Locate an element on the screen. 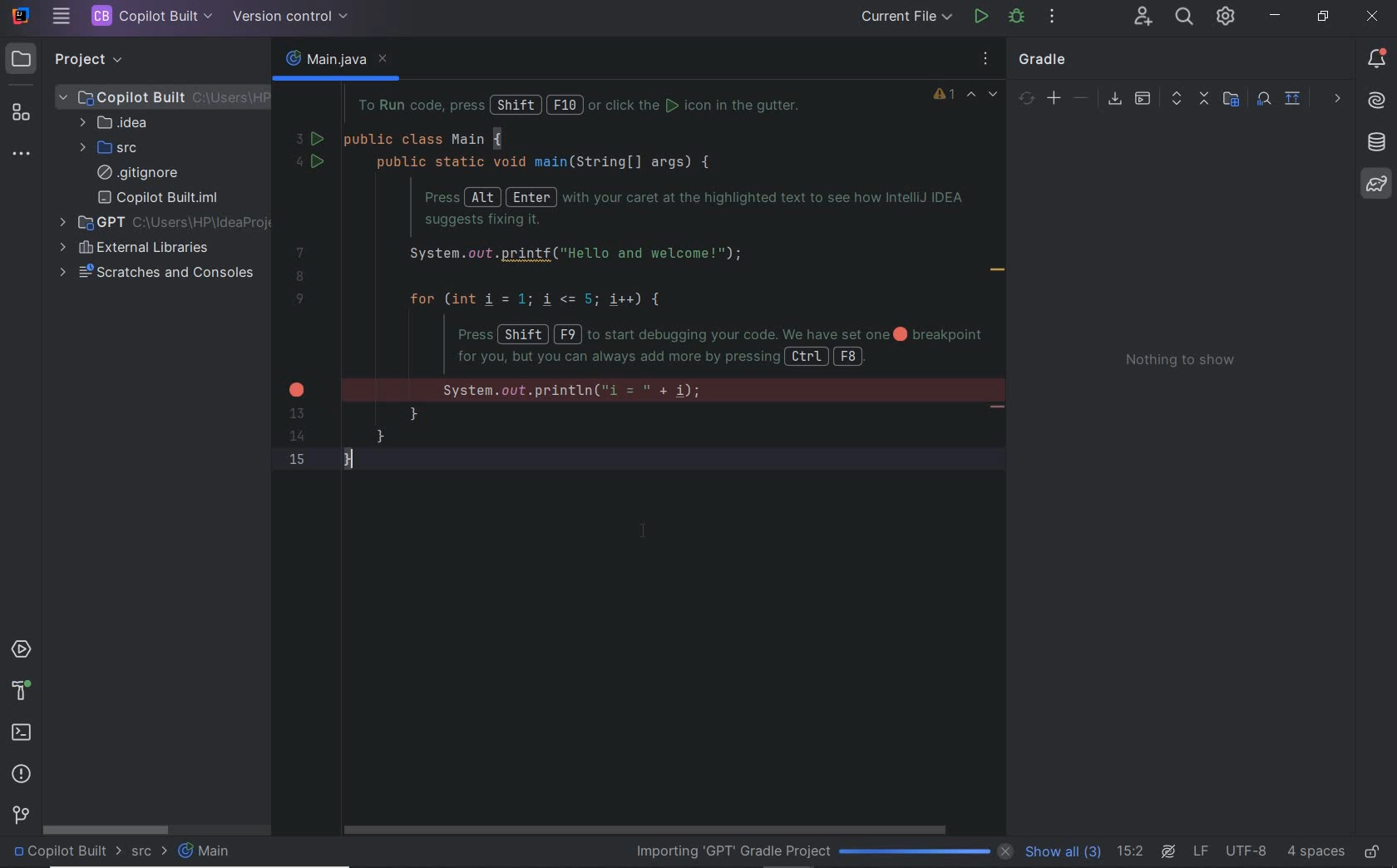 This screenshot has height=868, width=1397. minimize is located at coordinates (1276, 16).